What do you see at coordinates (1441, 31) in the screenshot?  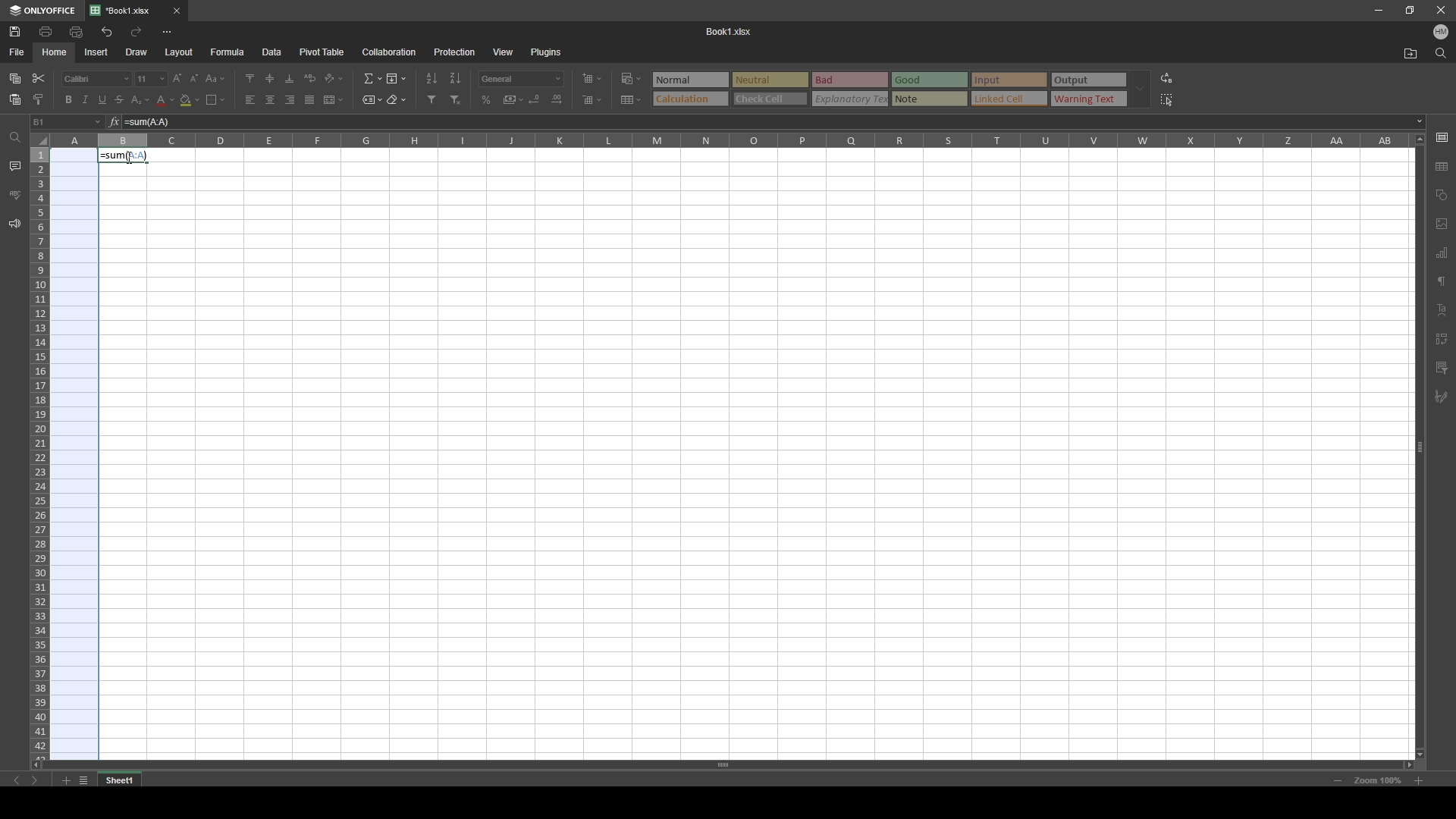 I see `profile` at bounding box center [1441, 31].